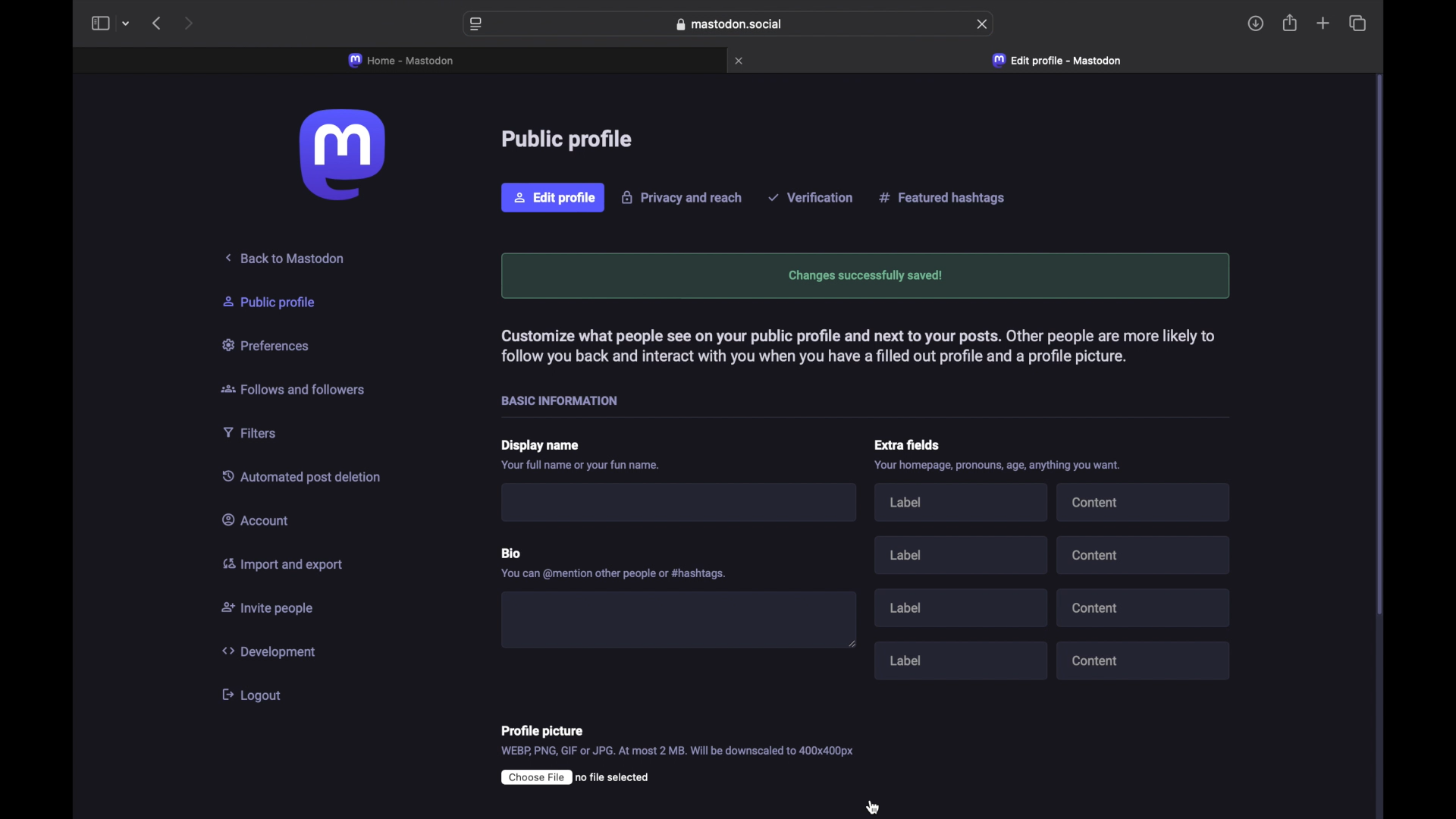 Image resolution: width=1456 pixels, height=819 pixels. I want to click on Preferences, so click(263, 349).